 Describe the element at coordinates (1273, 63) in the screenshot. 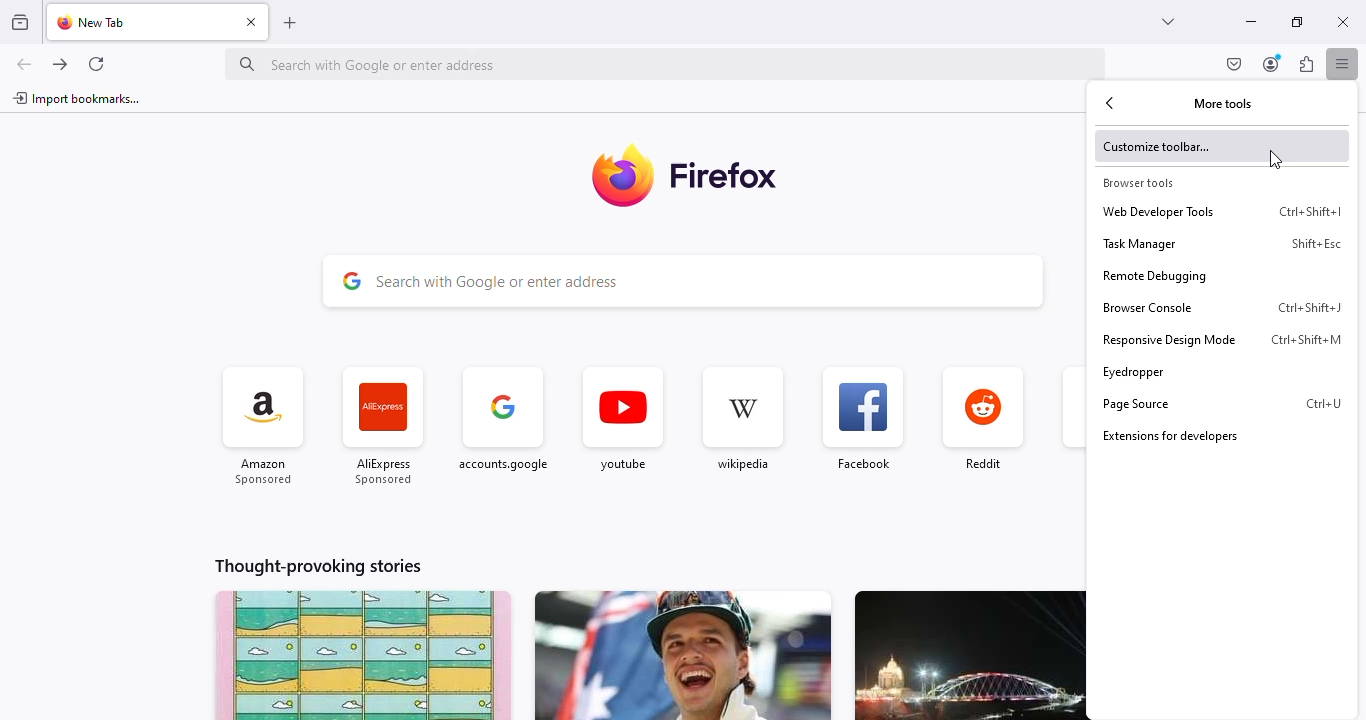

I see `account` at that location.